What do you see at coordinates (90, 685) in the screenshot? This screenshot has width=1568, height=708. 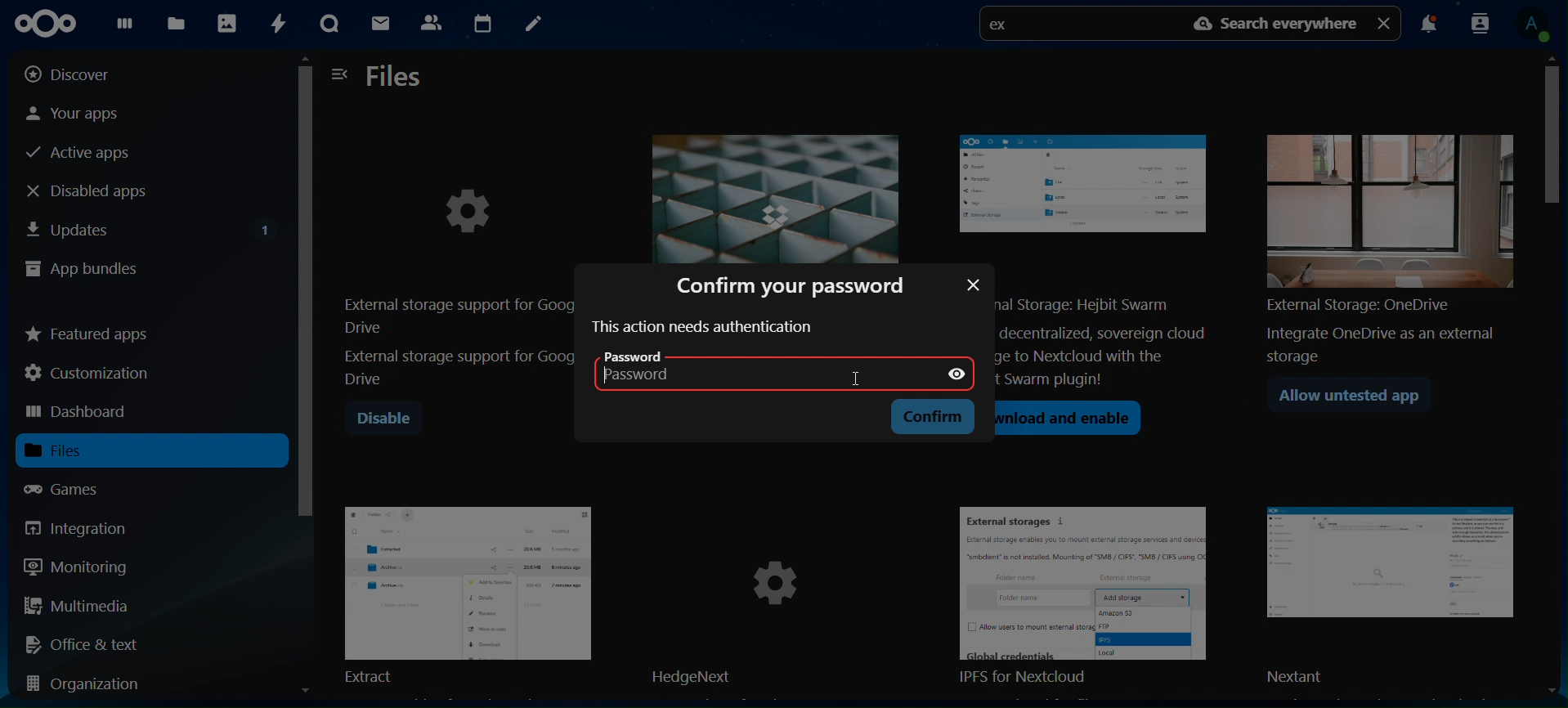 I see `organization` at bounding box center [90, 685].